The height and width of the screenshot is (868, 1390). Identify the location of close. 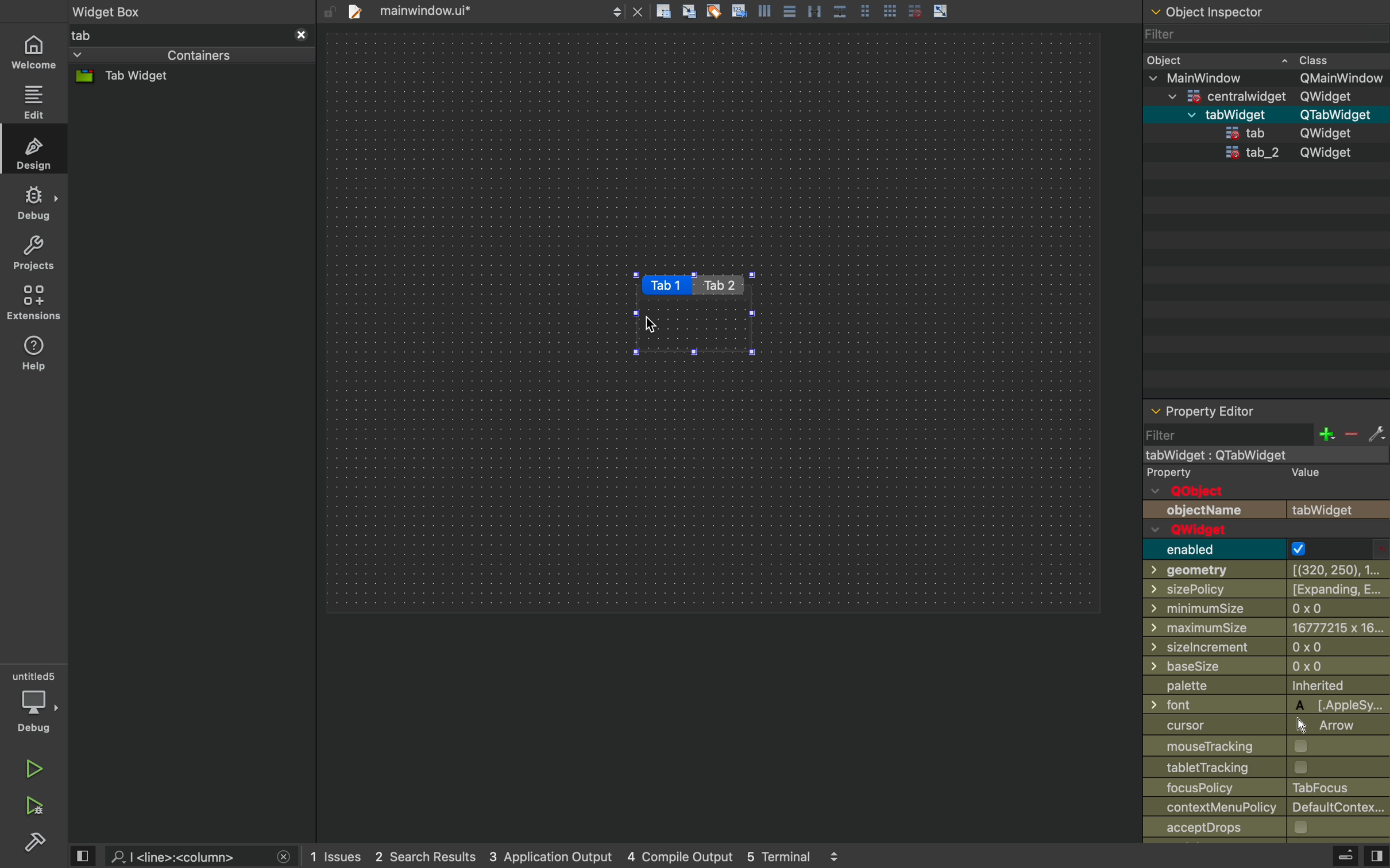
(300, 34).